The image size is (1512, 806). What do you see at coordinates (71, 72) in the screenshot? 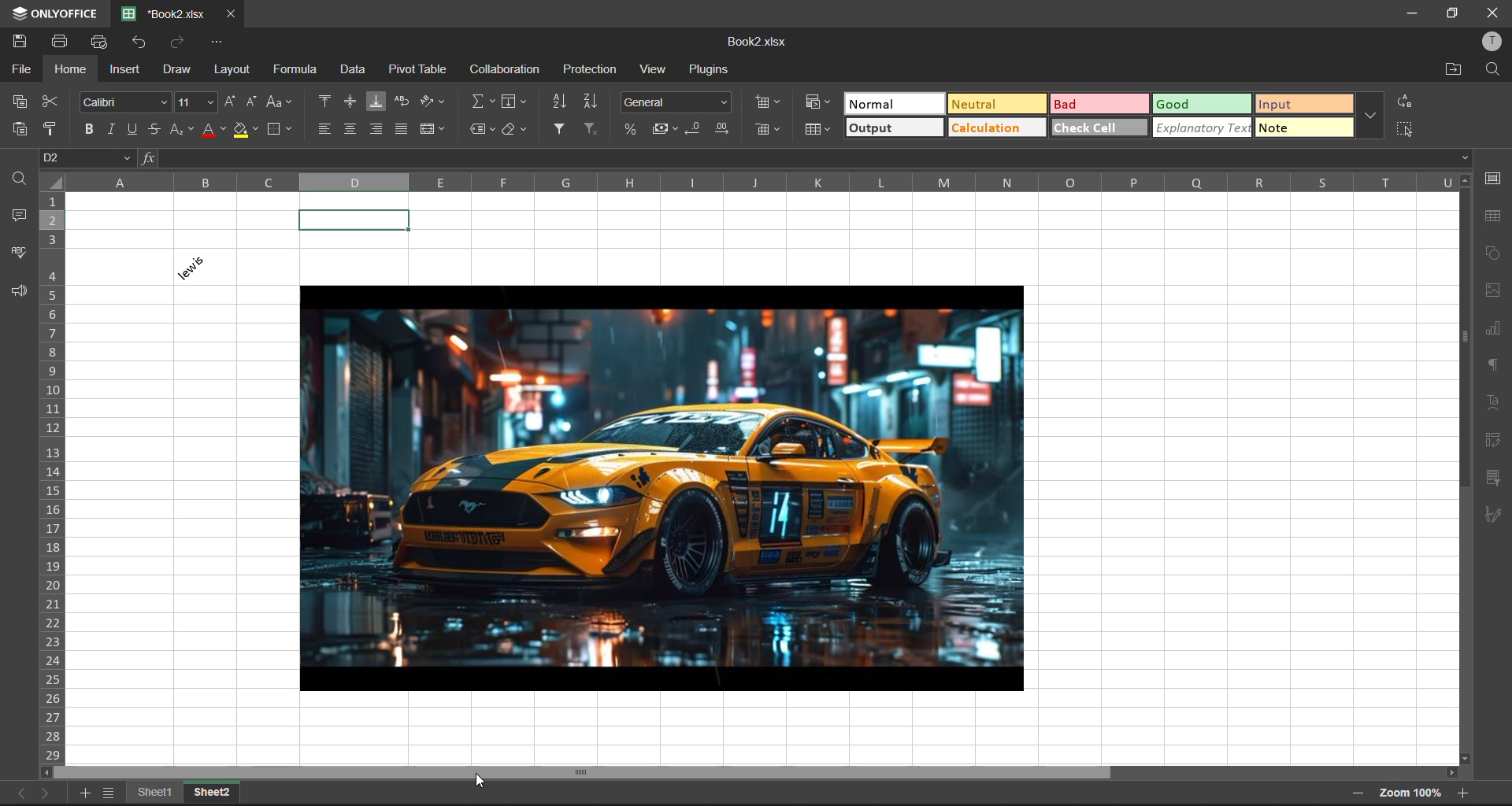
I see `home` at bounding box center [71, 72].